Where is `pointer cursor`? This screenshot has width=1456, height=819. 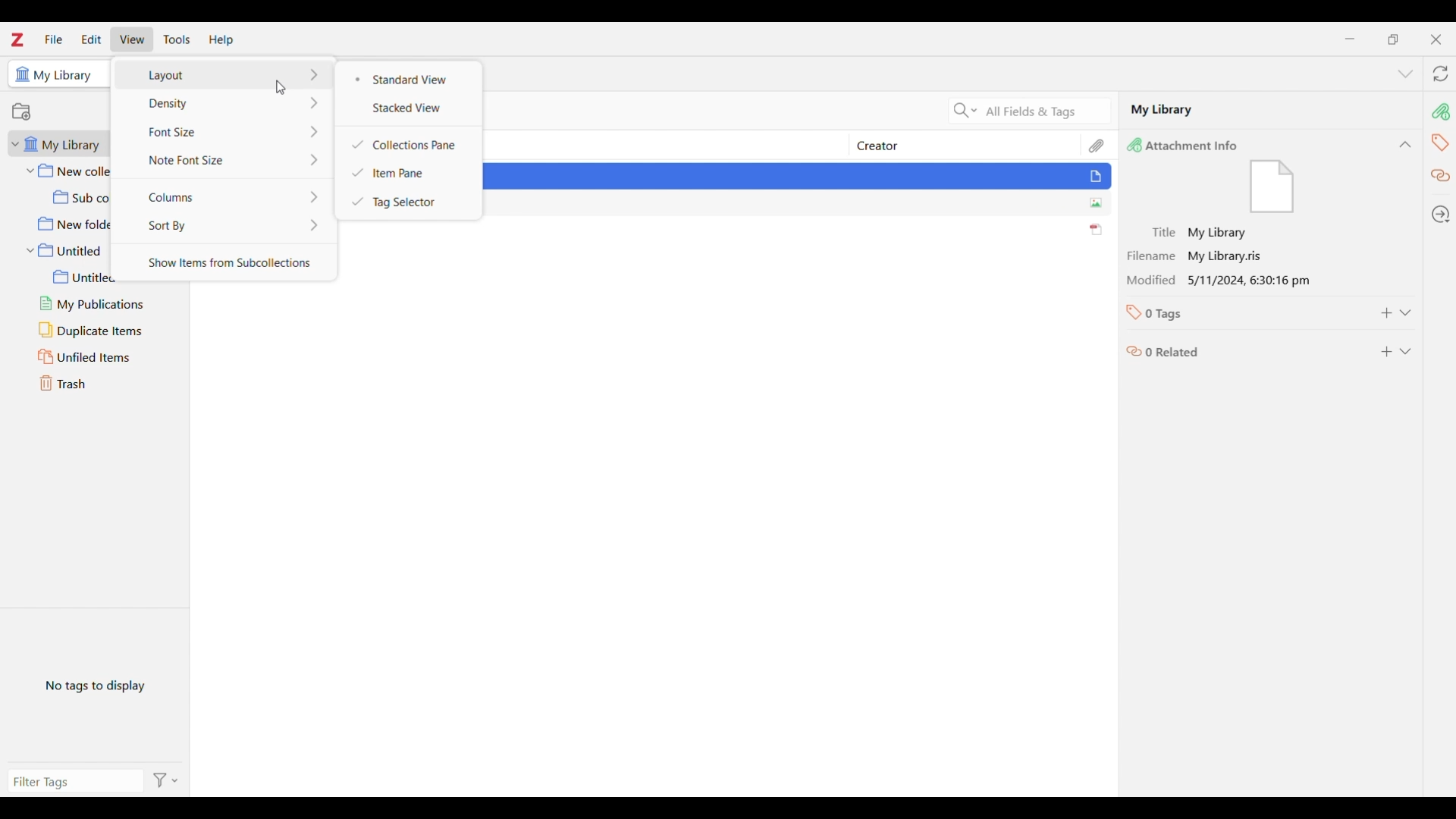
pointer cursor is located at coordinates (281, 82).